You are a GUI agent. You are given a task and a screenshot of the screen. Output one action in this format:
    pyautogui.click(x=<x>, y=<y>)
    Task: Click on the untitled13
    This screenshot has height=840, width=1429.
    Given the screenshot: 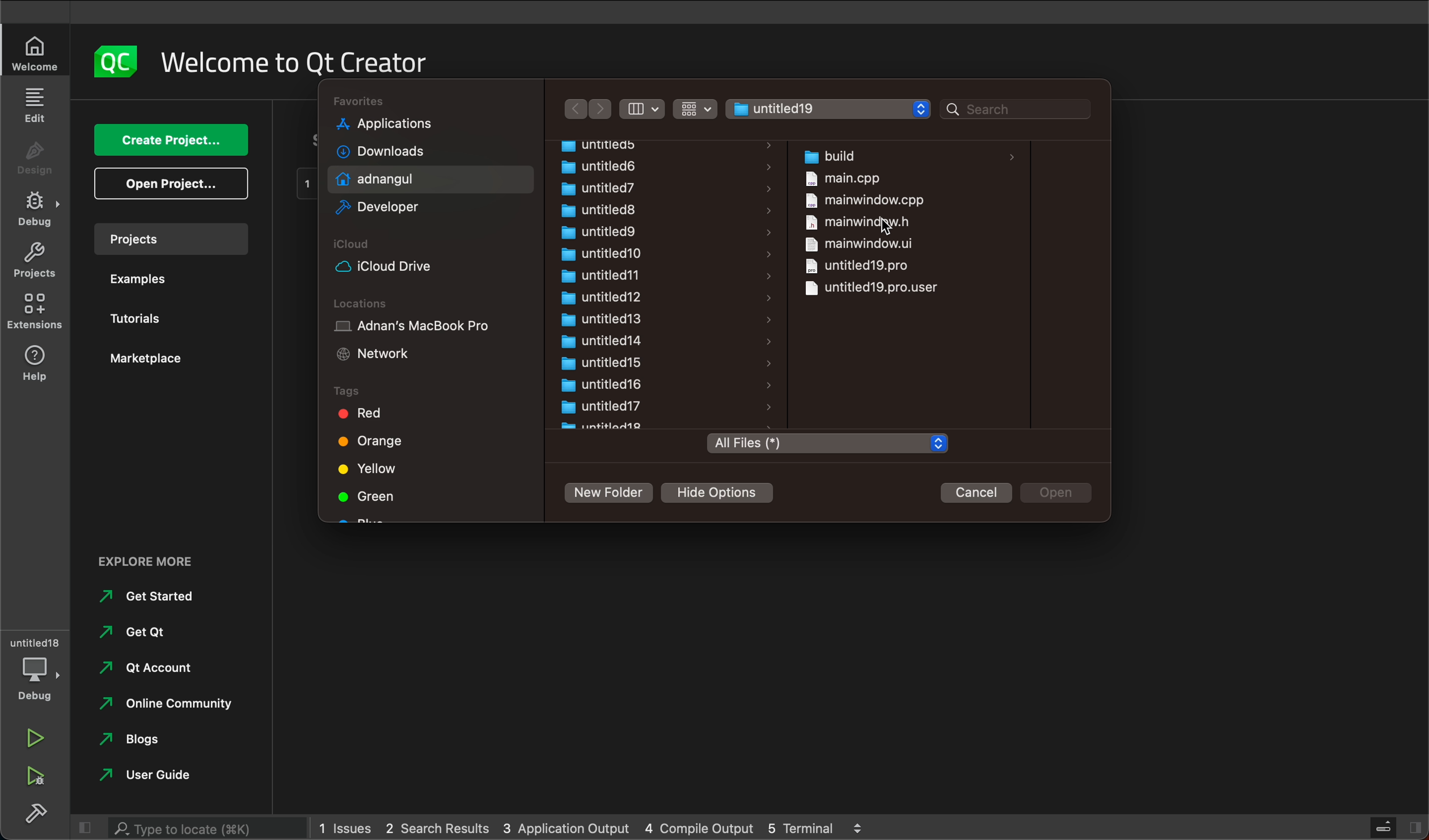 What is the action you would take?
    pyautogui.click(x=599, y=320)
    